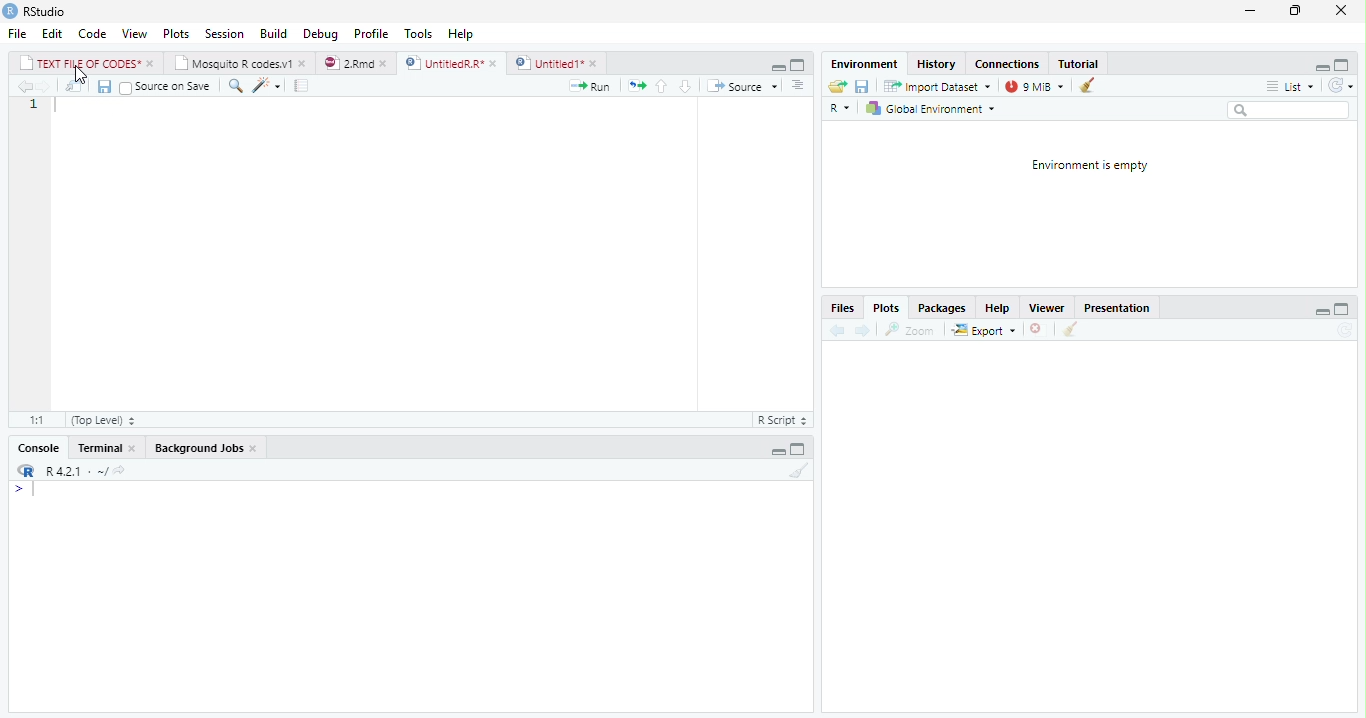  What do you see at coordinates (1346, 65) in the screenshot?
I see `hide console` at bounding box center [1346, 65].